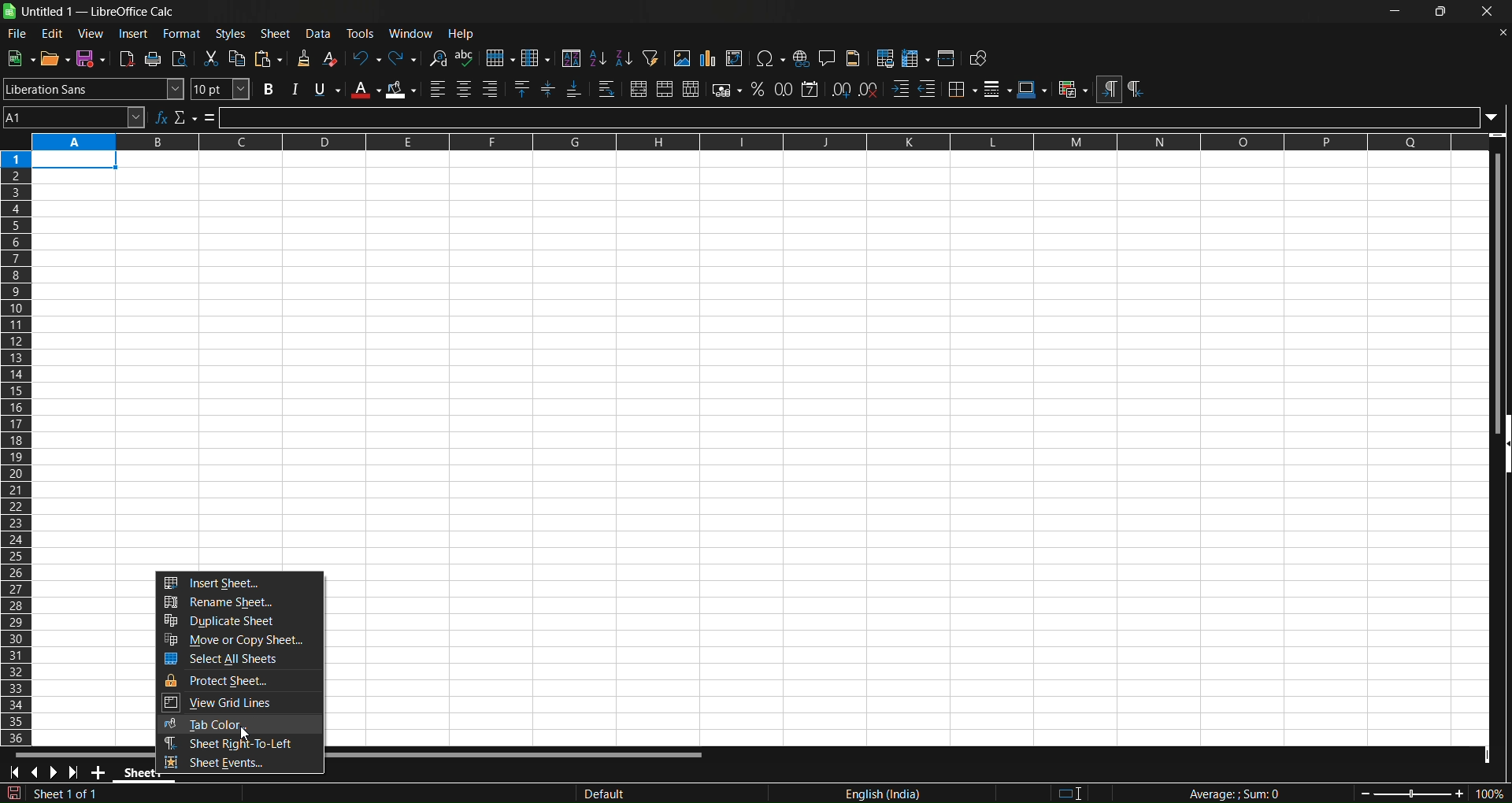 The image size is (1512, 803). I want to click on insert sheet, so click(240, 582).